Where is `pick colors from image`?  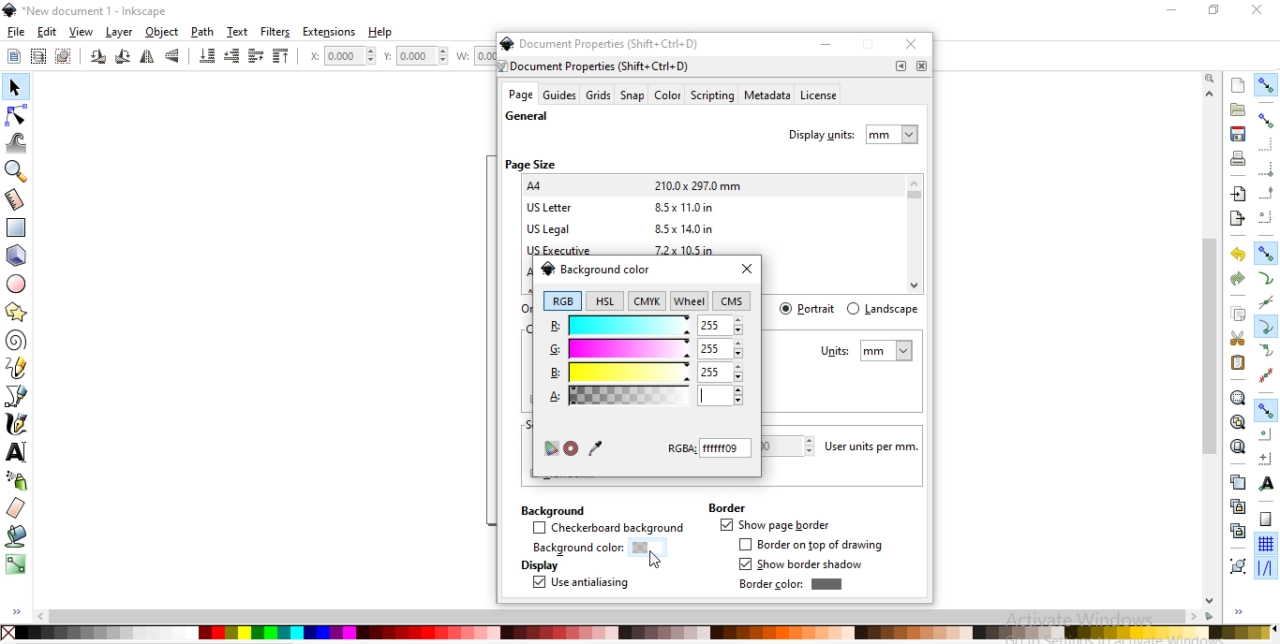 pick colors from image is located at coordinates (595, 447).